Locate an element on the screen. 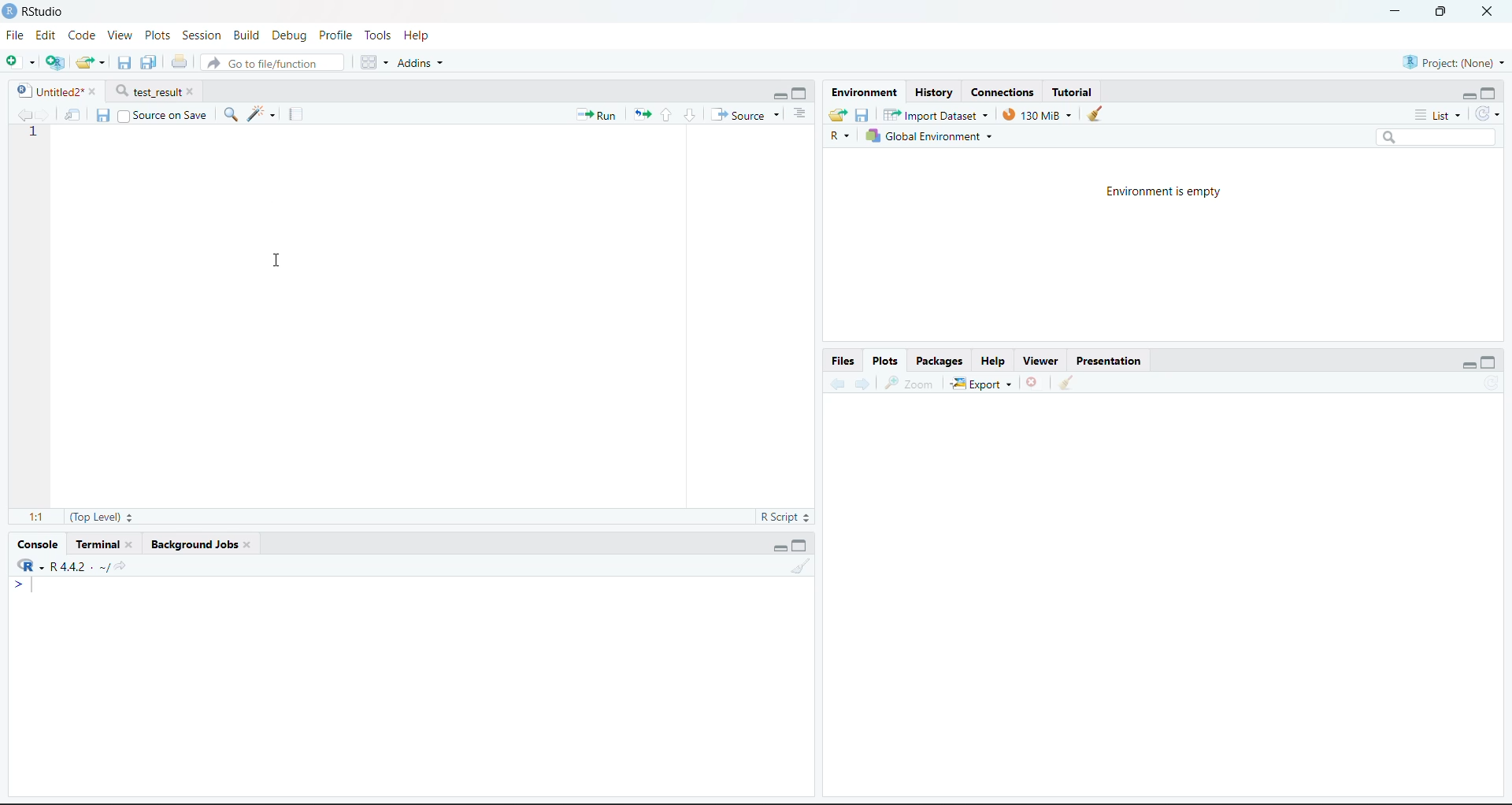 The width and height of the screenshot is (1512, 805). Help is located at coordinates (422, 35).